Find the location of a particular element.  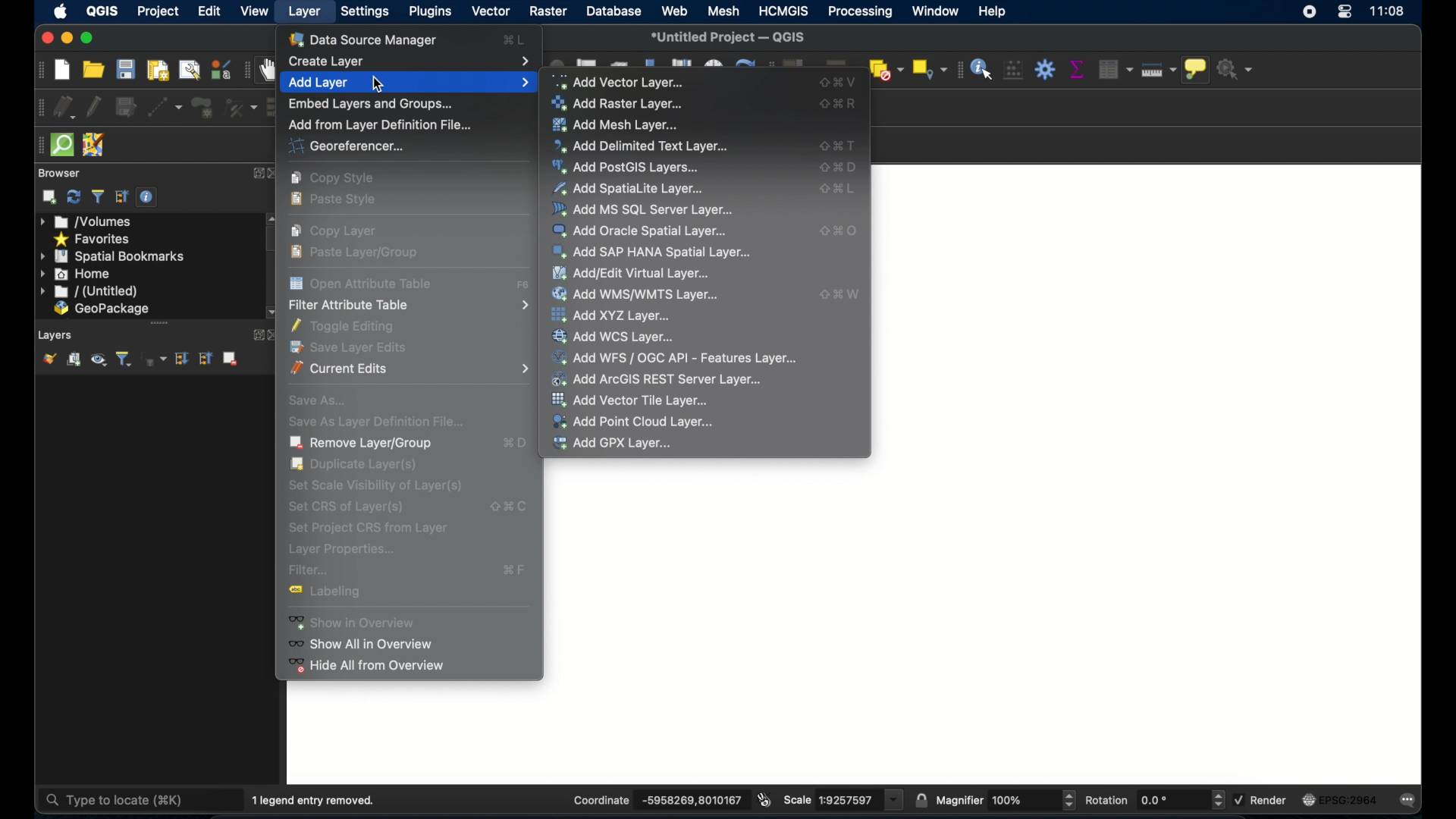

mesh is located at coordinates (722, 12).